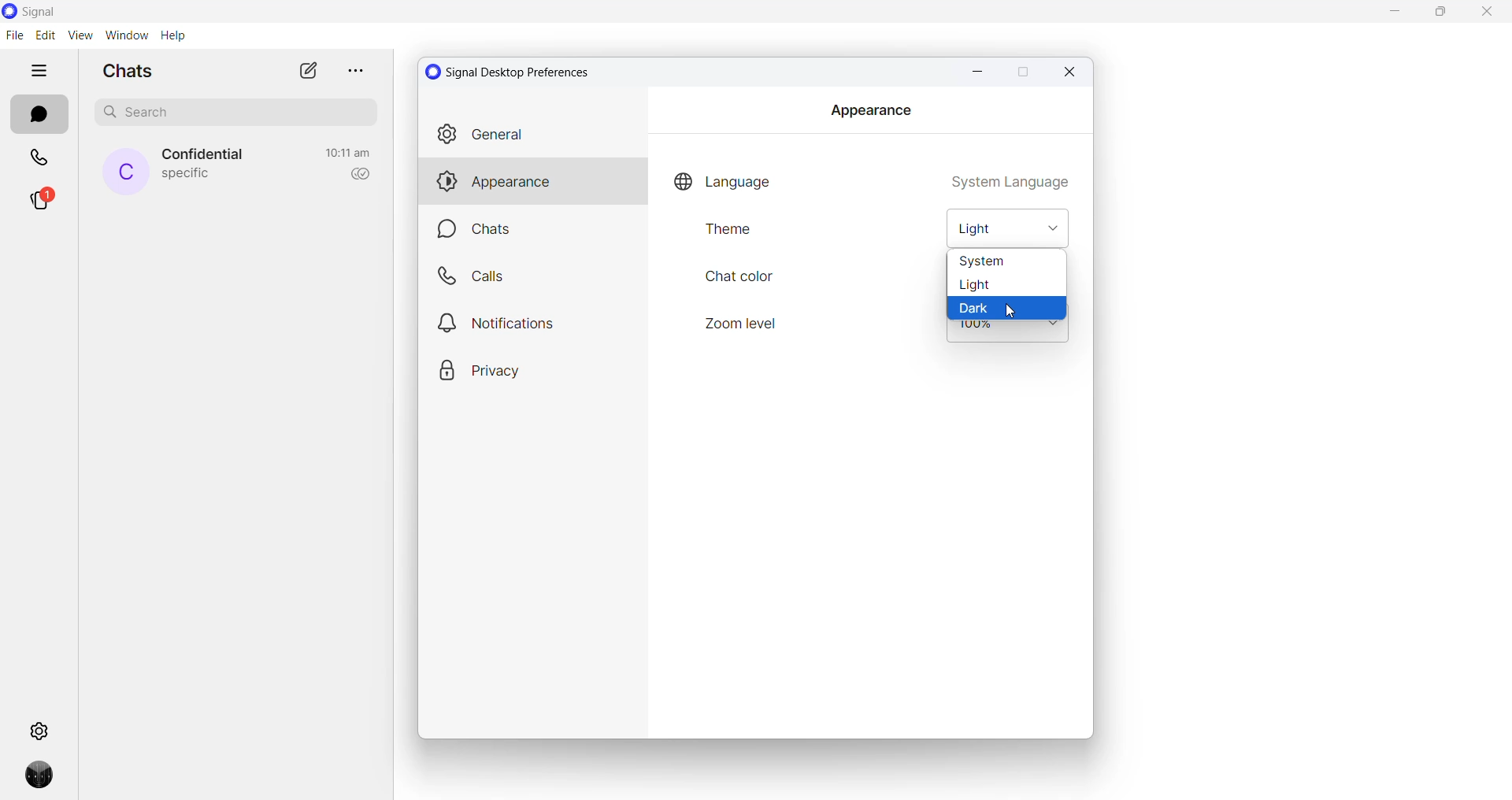 The width and height of the screenshot is (1512, 800). I want to click on hide tabs, so click(40, 72).